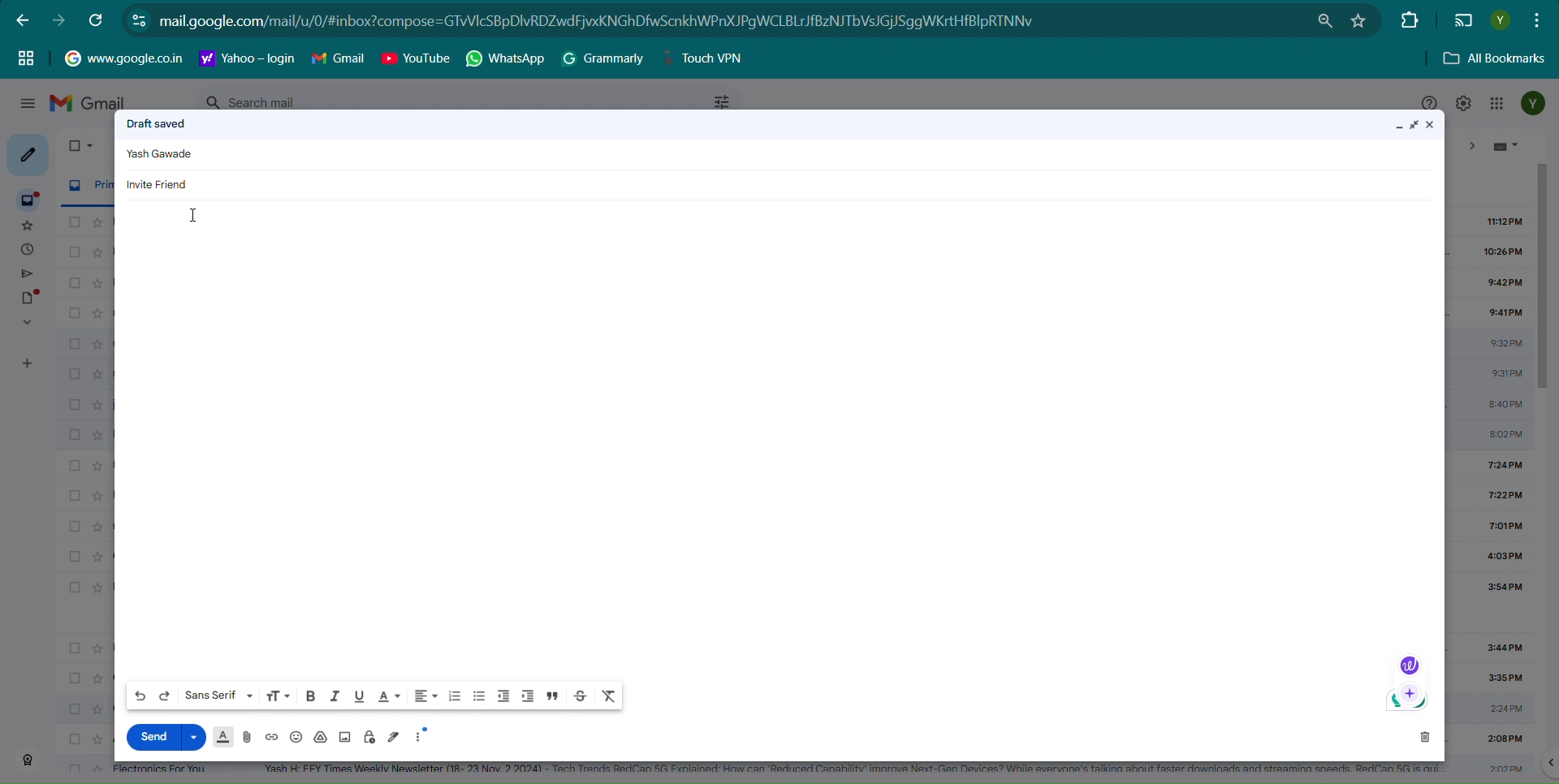  I want to click on Undo, so click(140, 696).